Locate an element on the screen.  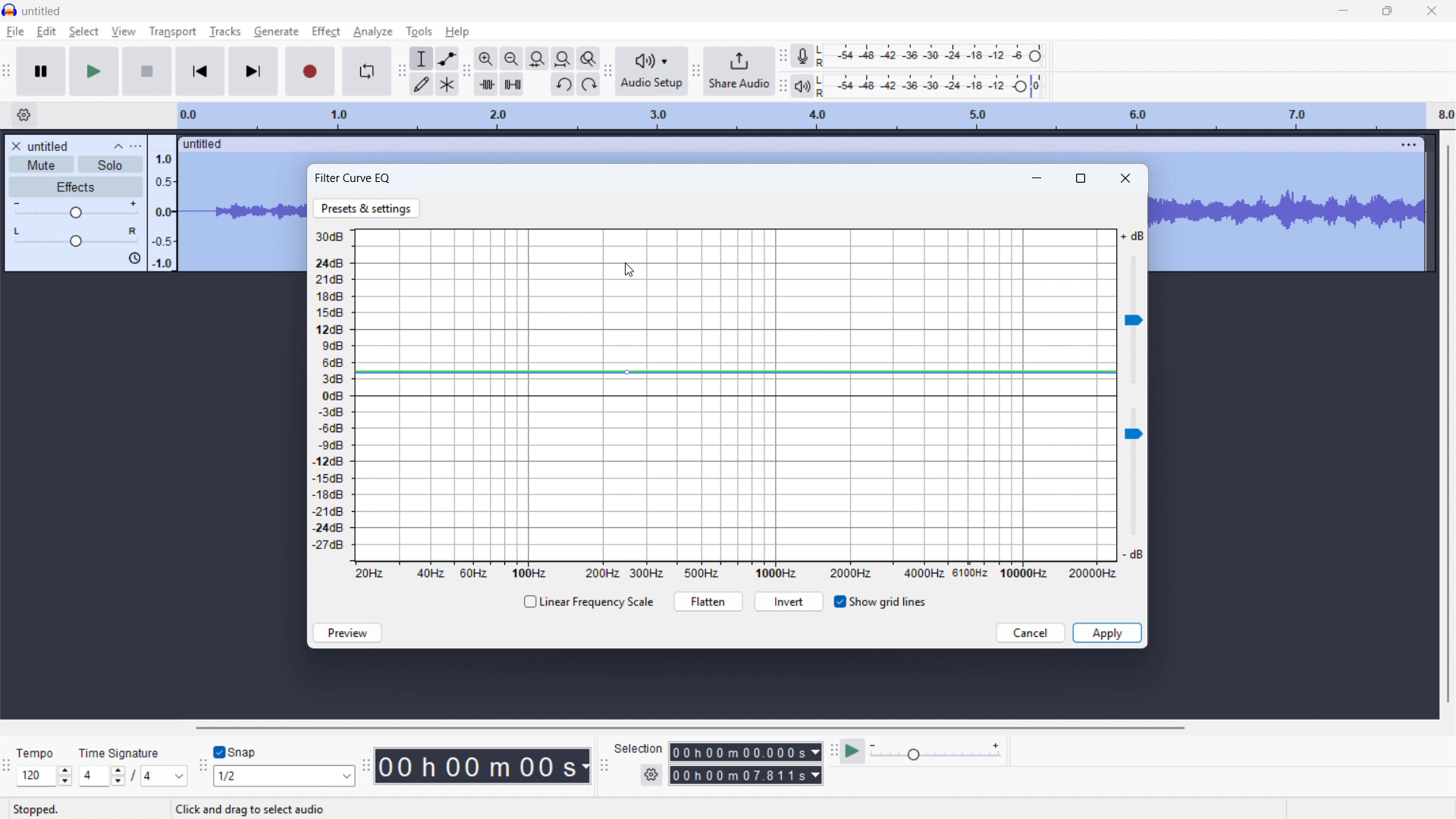
effects is located at coordinates (76, 187).